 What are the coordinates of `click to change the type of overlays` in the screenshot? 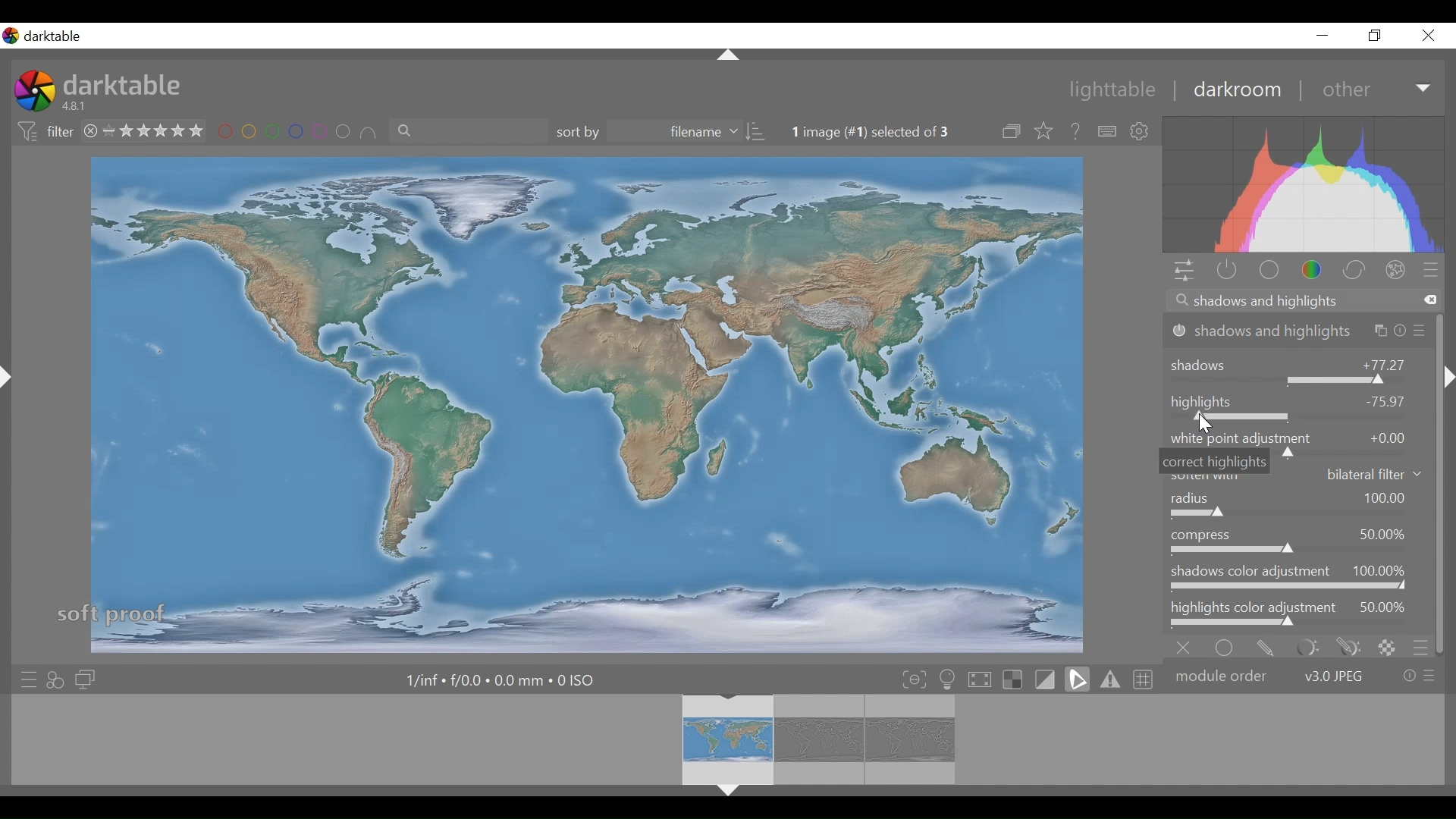 It's located at (1045, 132).